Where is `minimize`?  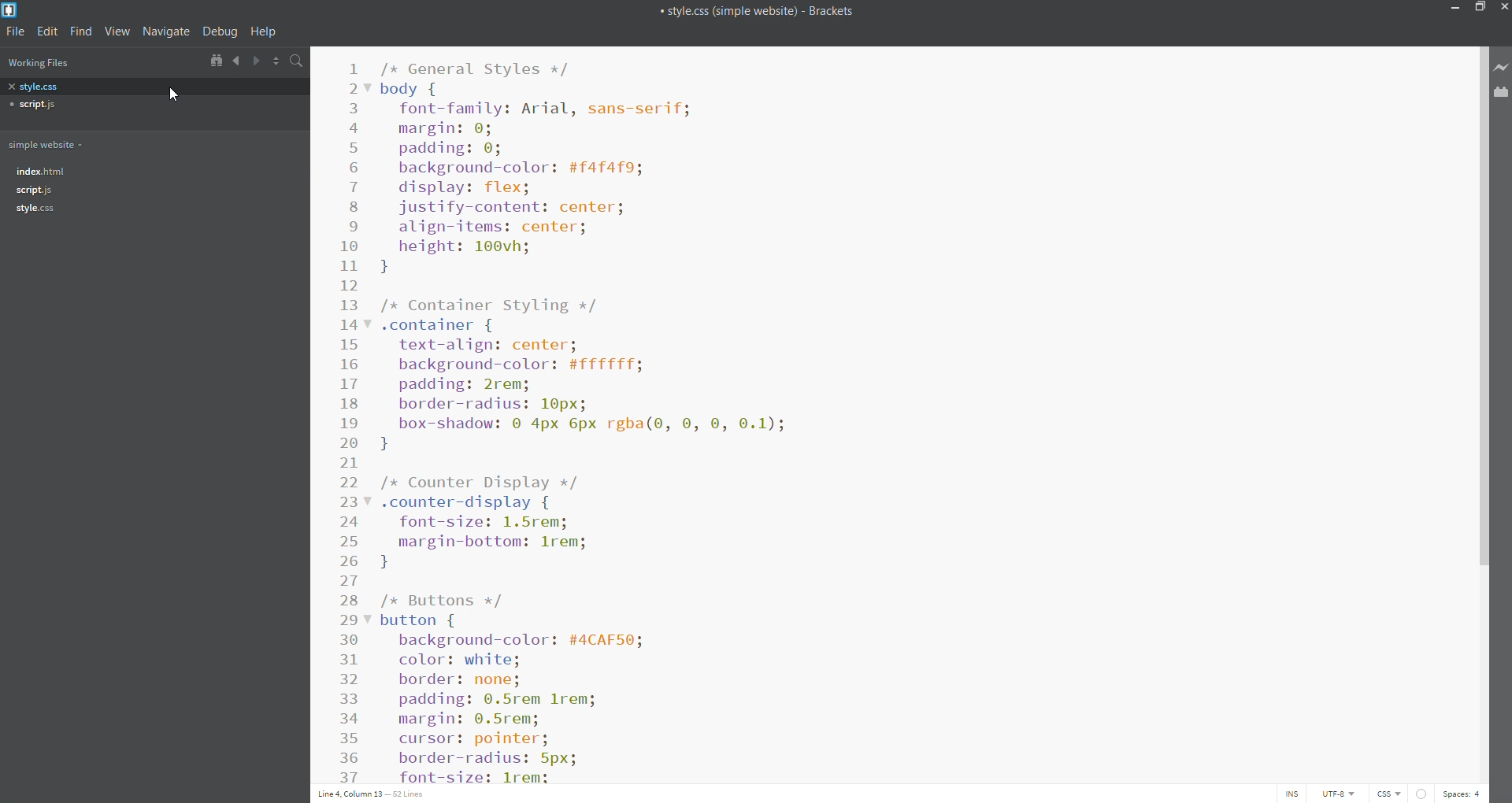
minimize is located at coordinates (1451, 9).